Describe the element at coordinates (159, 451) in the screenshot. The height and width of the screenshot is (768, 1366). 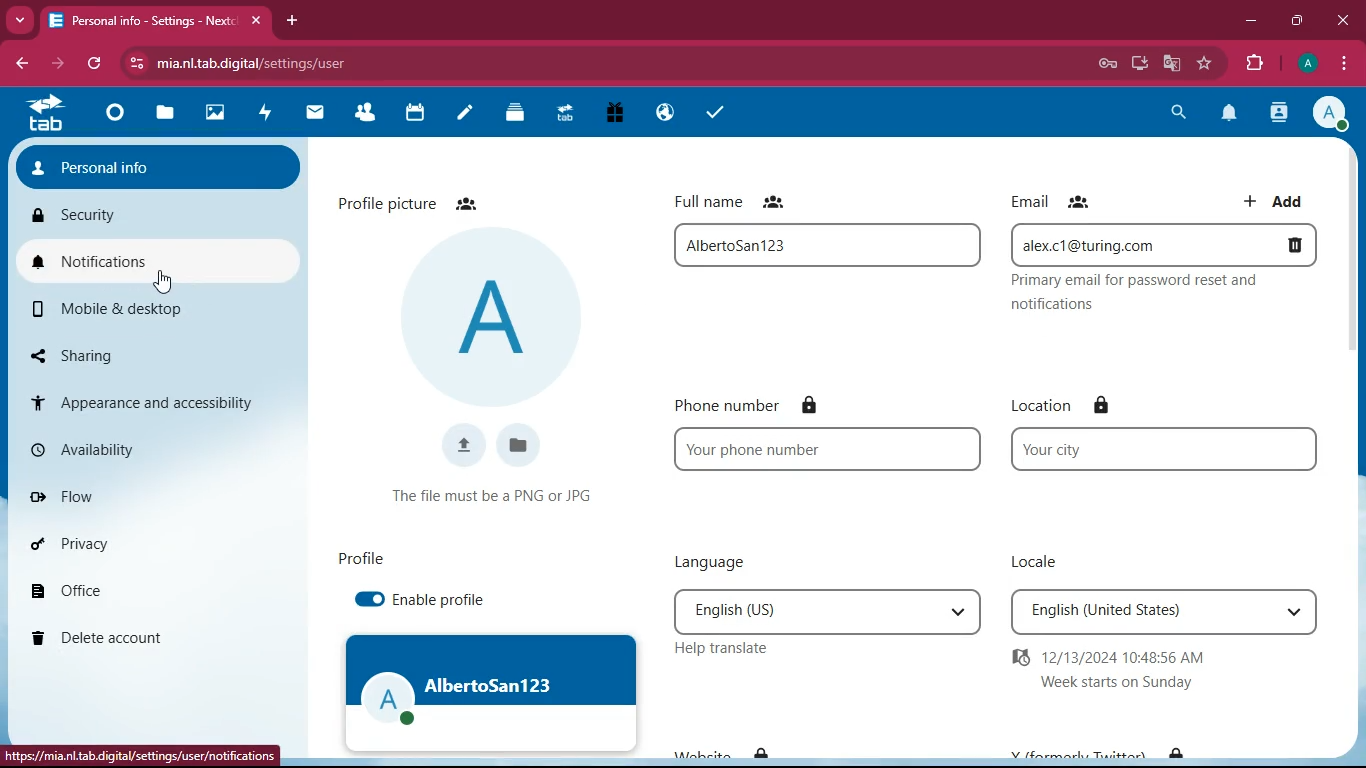
I see `availability` at that location.